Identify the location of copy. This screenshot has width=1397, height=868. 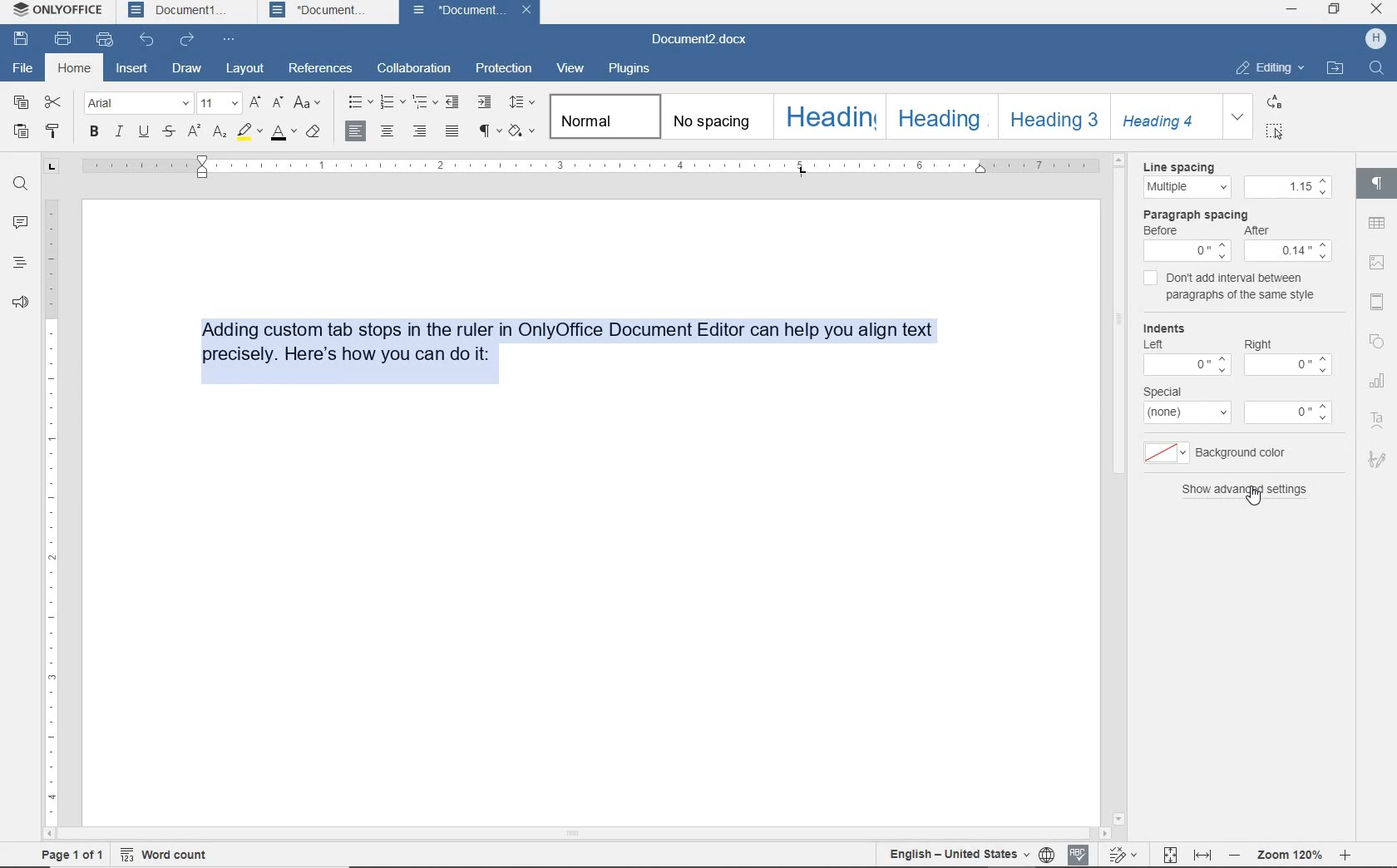
(22, 101).